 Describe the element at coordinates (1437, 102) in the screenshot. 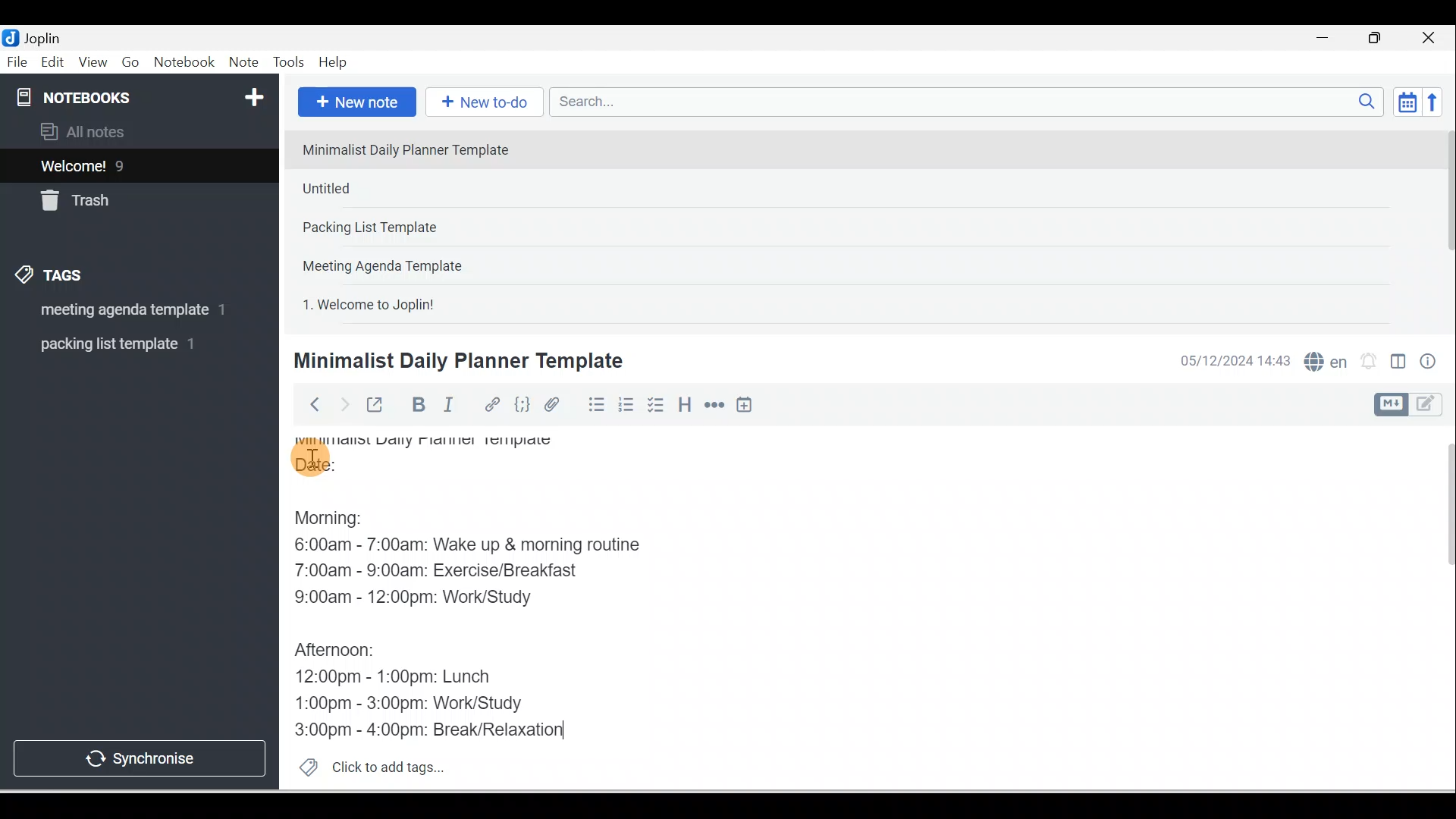

I see `Reverse sort` at that location.